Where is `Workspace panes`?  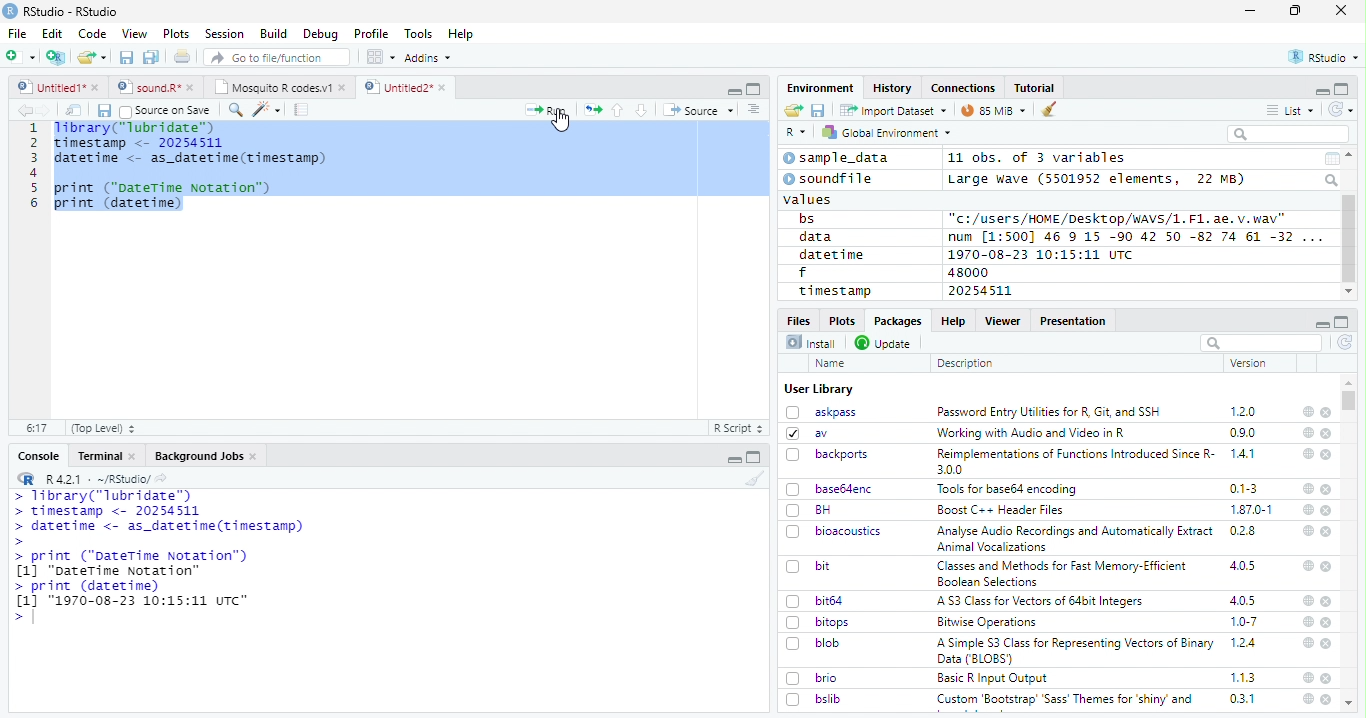 Workspace panes is located at coordinates (381, 57).